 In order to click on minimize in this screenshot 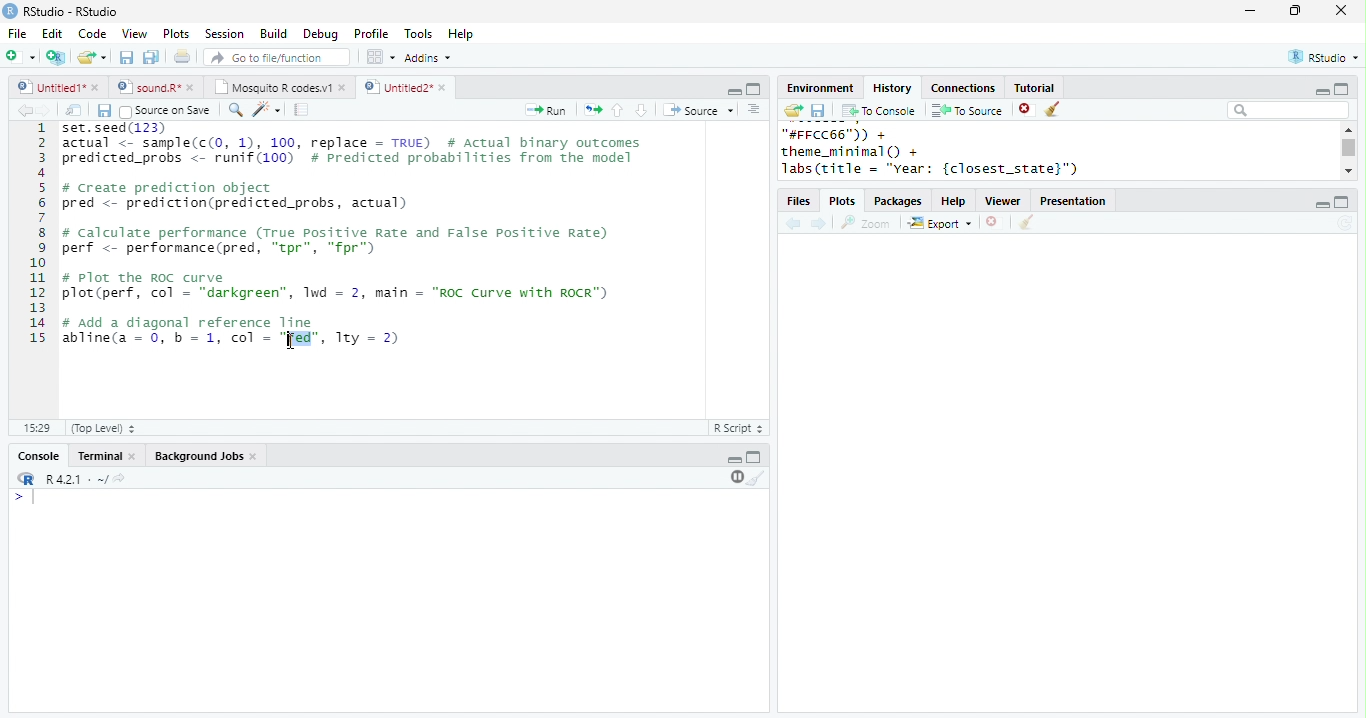, I will do `click(734, 90)`.